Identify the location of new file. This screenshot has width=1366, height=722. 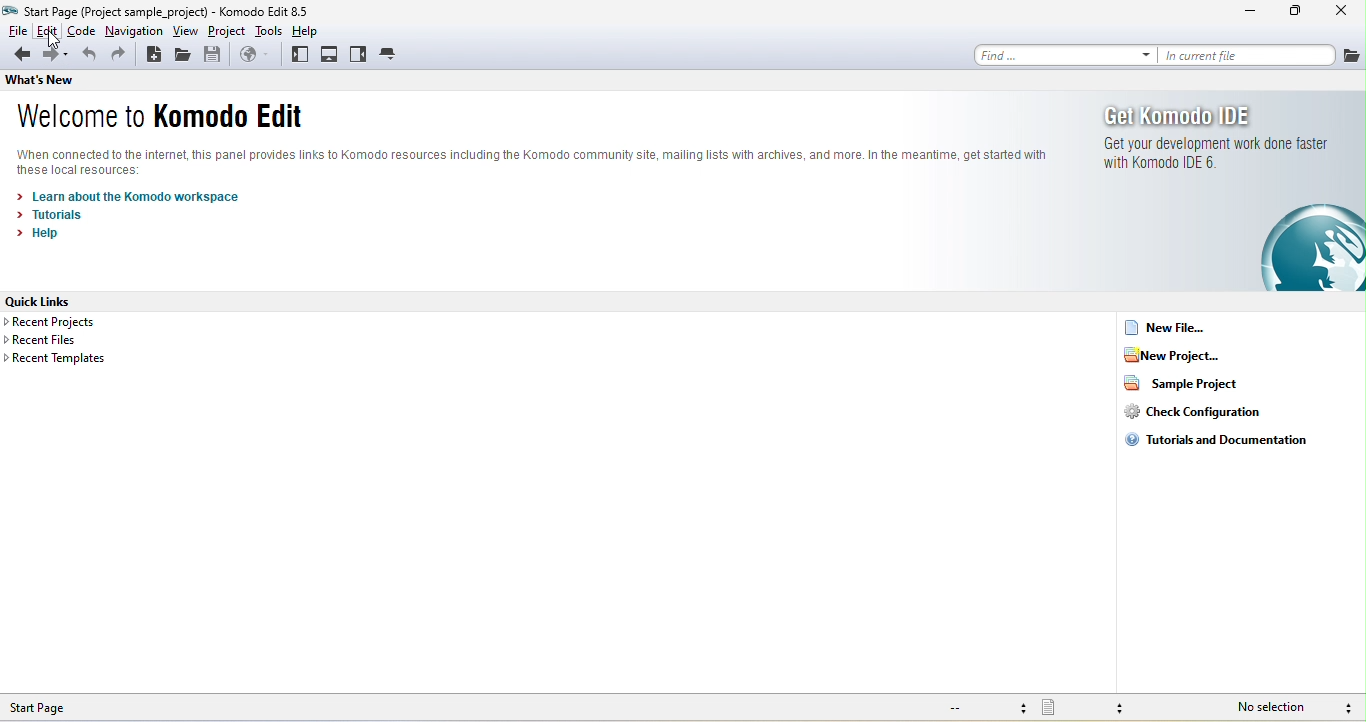
(1178, 326).